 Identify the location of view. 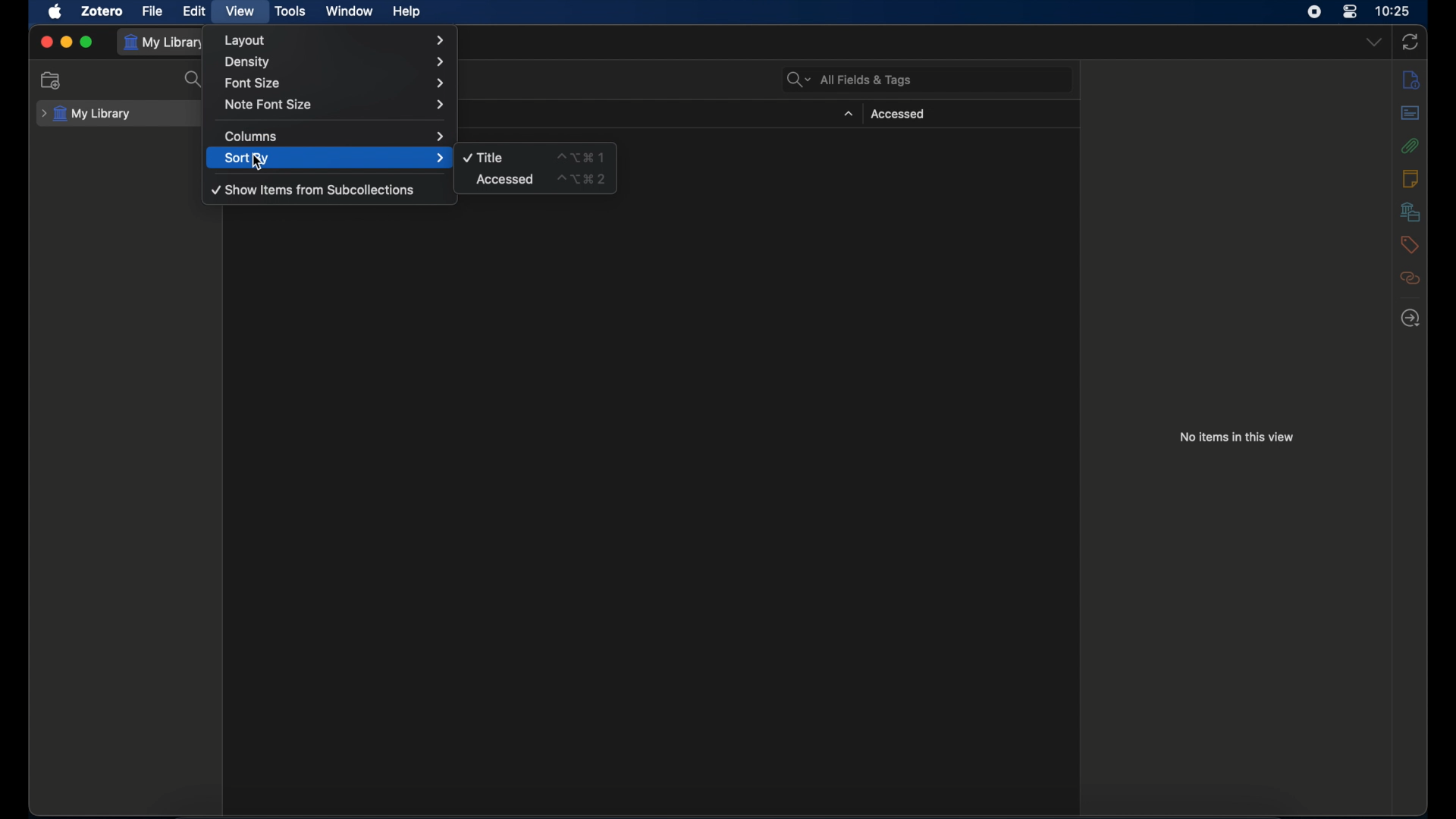
(240, 11).